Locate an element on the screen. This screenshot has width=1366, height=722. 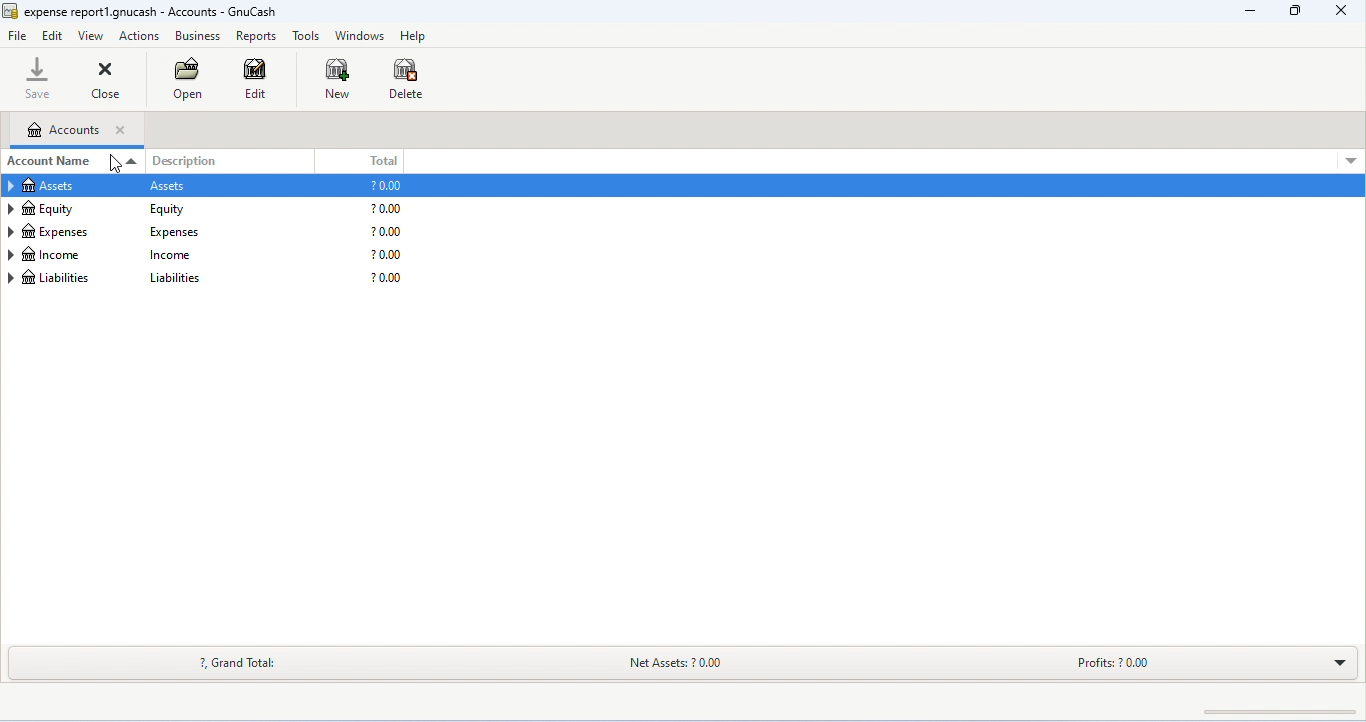
assets is located at coordinates (61, 186).